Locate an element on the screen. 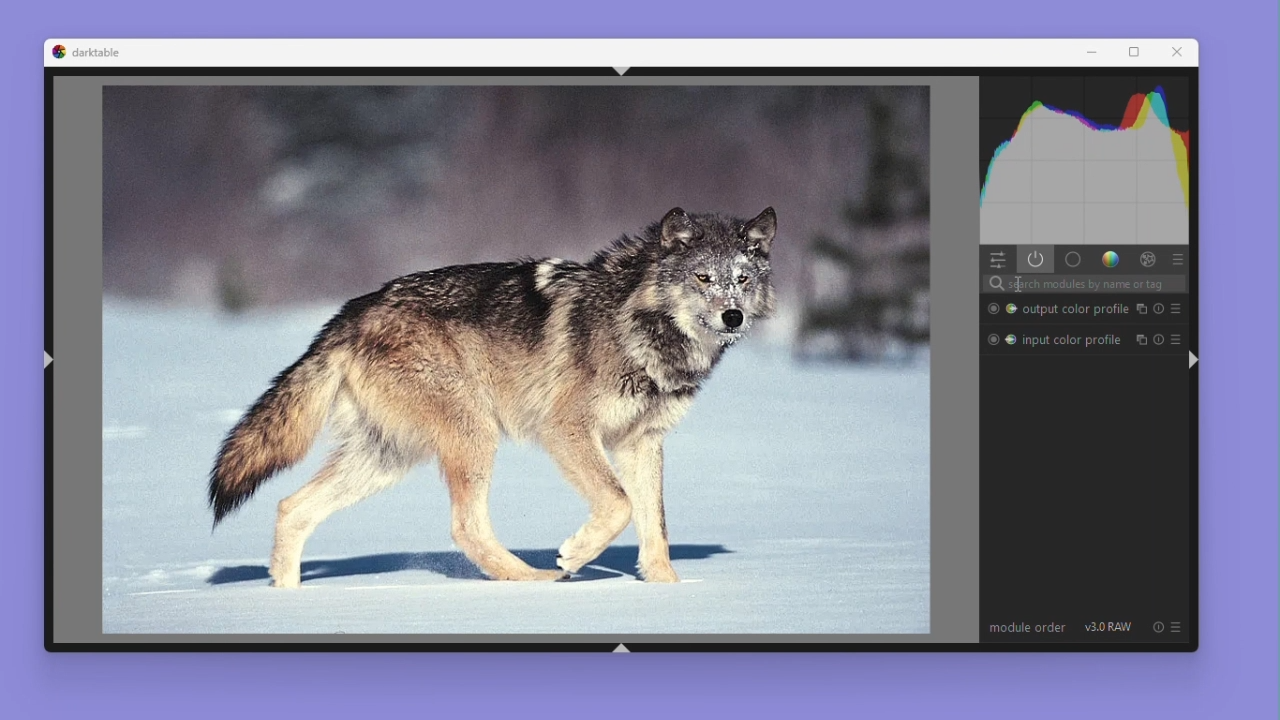 This screenshot has width=1280, height=720. Module order  is located at coordinates (1027, 629).